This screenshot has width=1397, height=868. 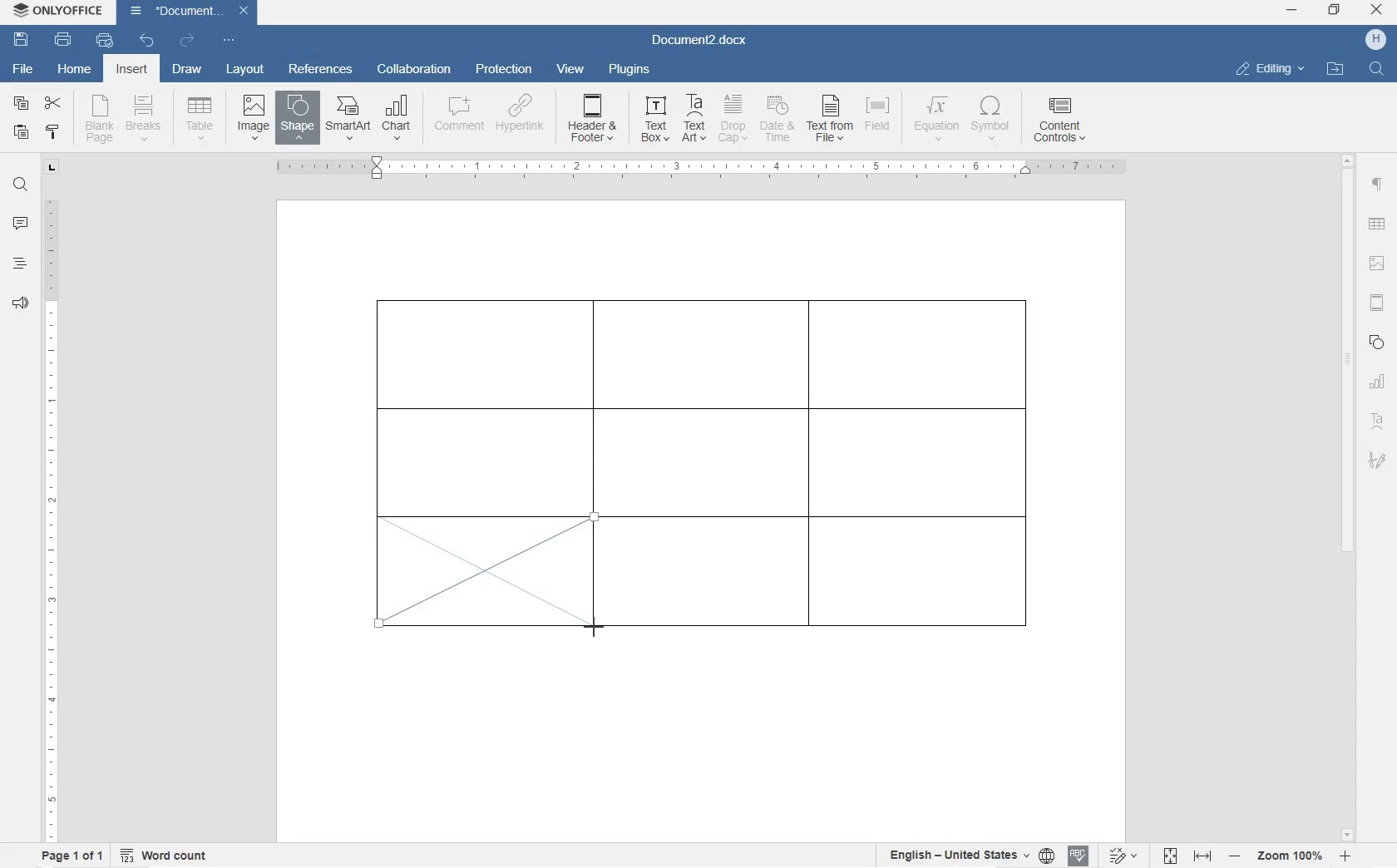 I want to click on FIND, so click(x=1378, y=68).